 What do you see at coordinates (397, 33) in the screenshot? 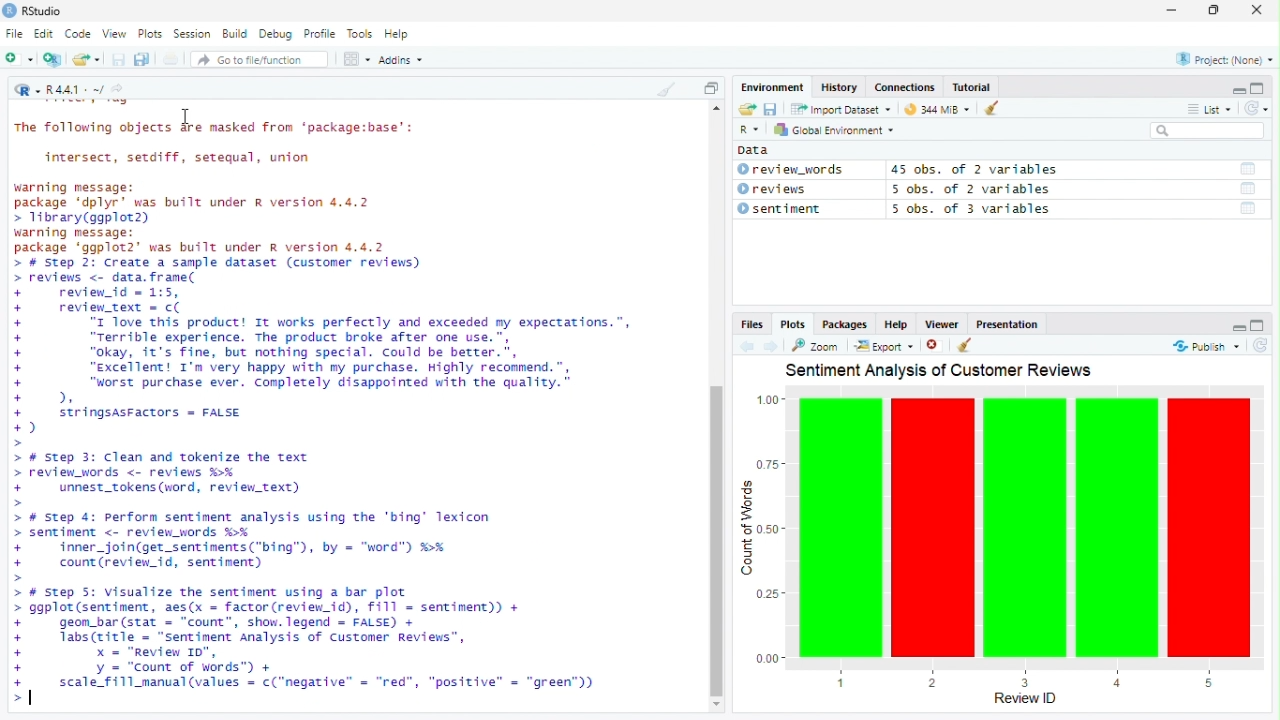
I see `Help` at bounding box center [397, 33].